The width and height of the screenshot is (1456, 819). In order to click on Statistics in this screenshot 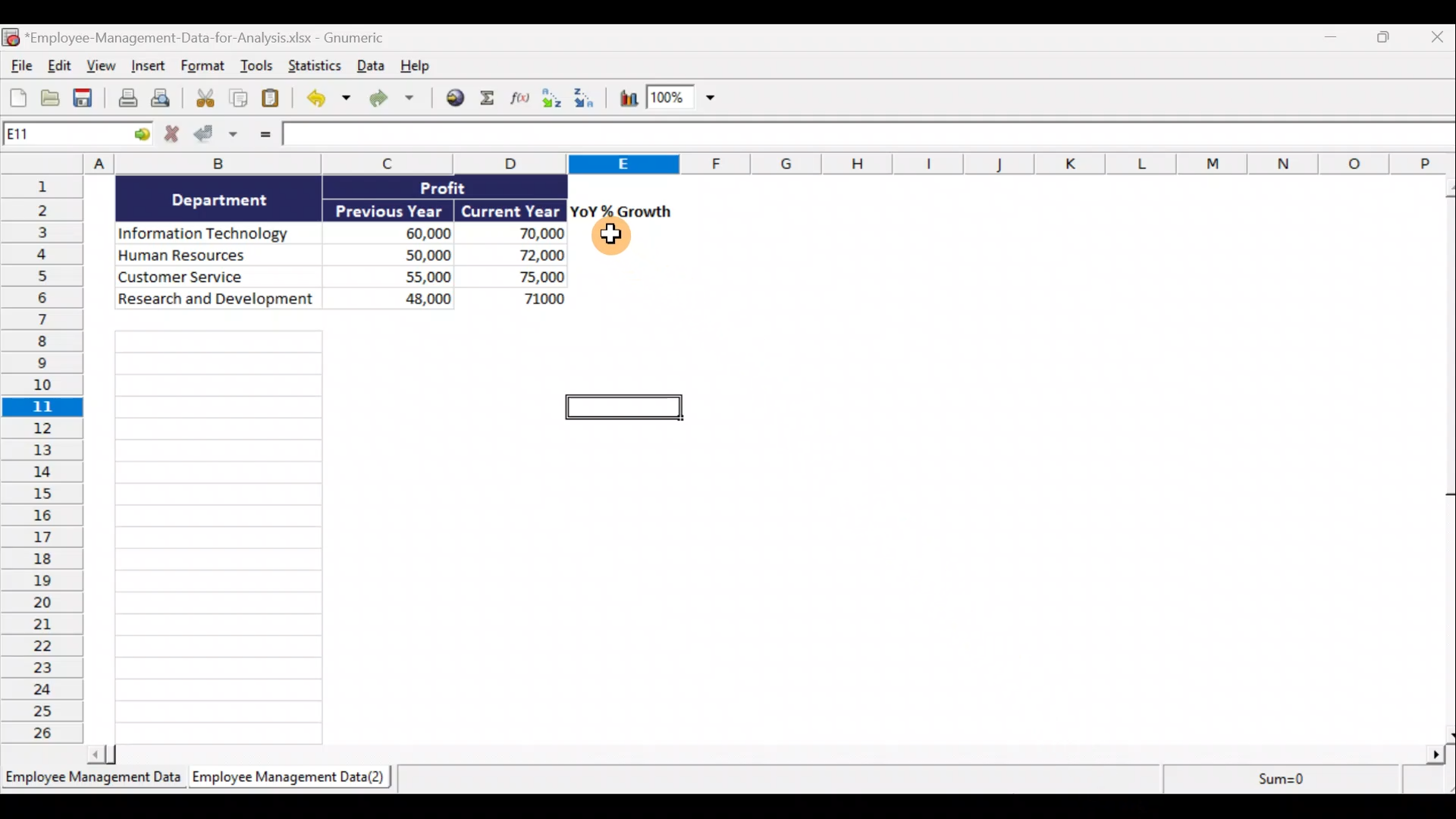, I will do `click(312, 66)`.